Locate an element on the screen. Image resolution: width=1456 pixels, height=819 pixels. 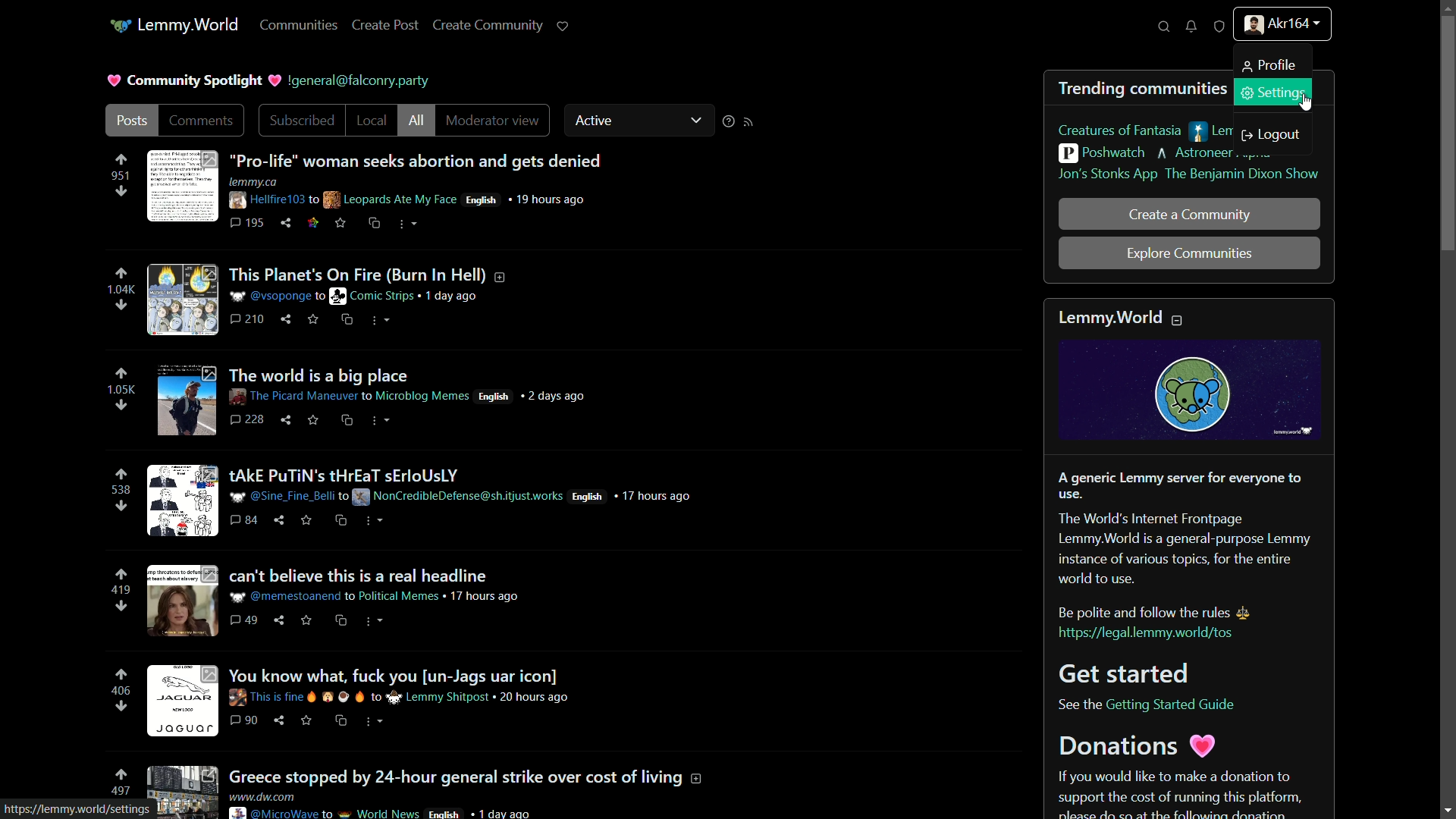
upvote is located at coordinates (121, 374).